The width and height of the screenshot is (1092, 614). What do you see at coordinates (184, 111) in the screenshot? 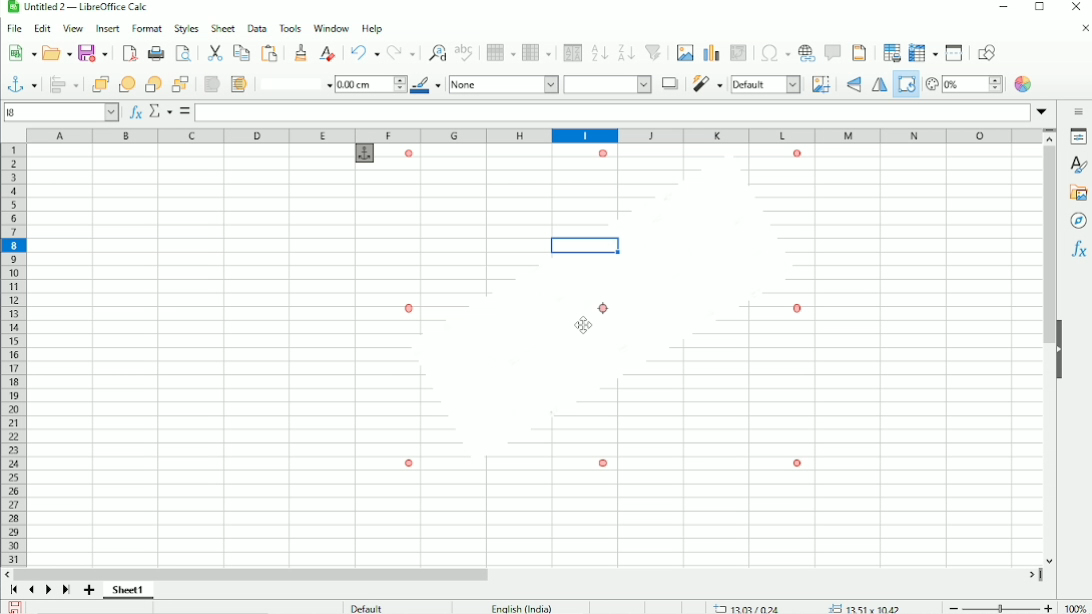
I see `Formula` at bounding box center [184, 111].